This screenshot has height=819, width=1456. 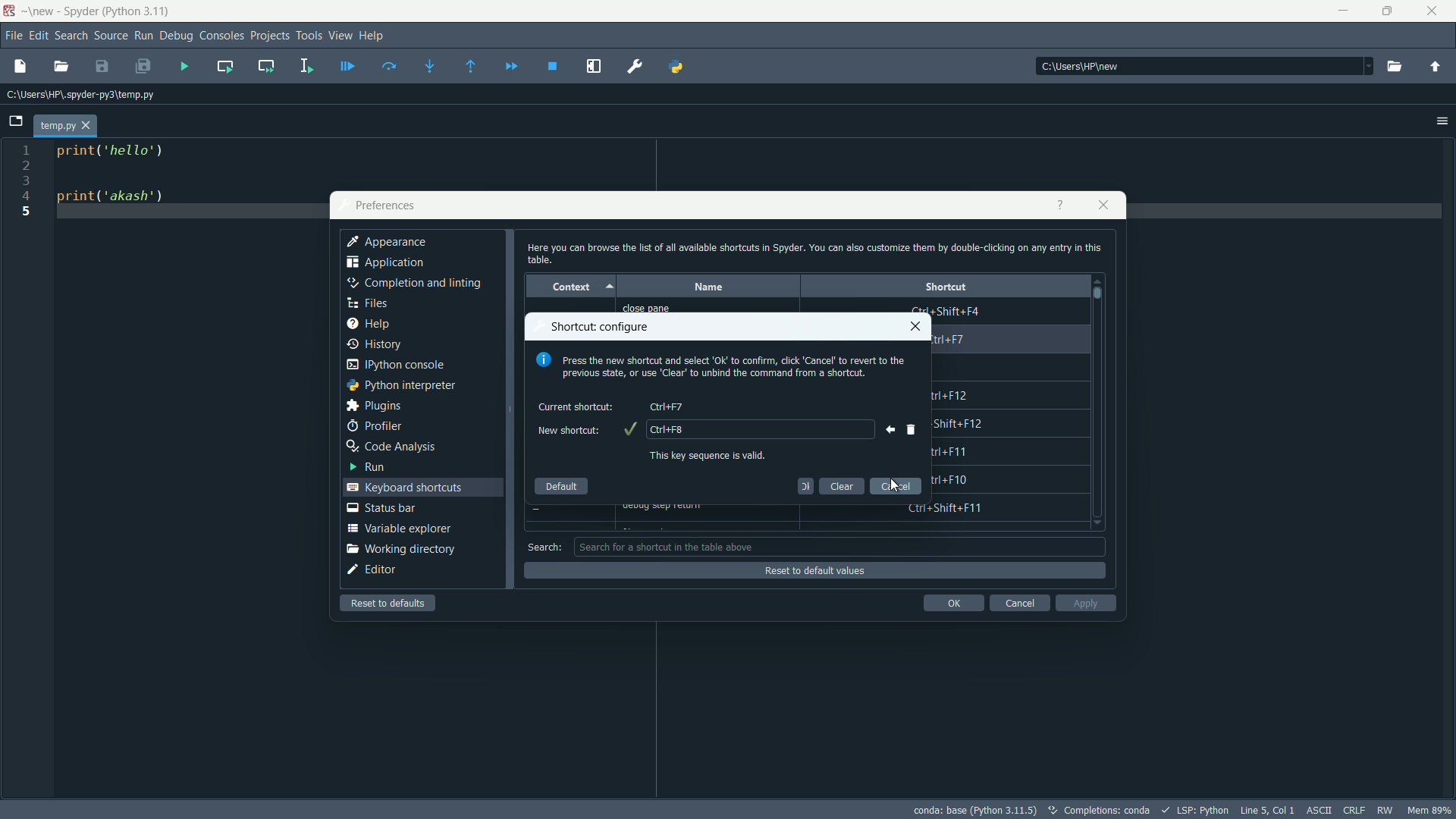 What do you see at coordinates (668, 428) in the screenshot?
I see `new shortcut added` at bounding box center [668, 428].